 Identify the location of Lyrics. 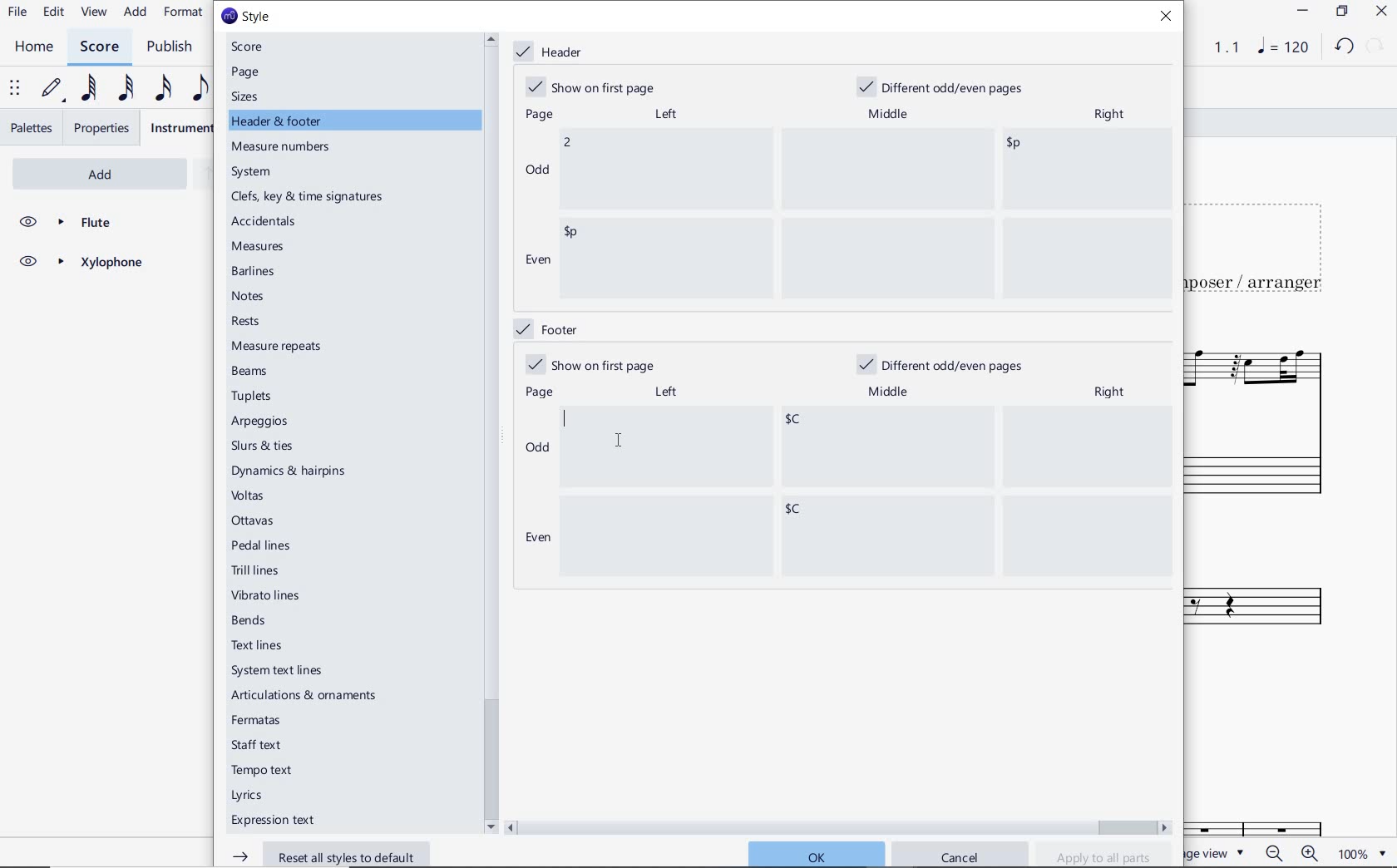
(251, 796).